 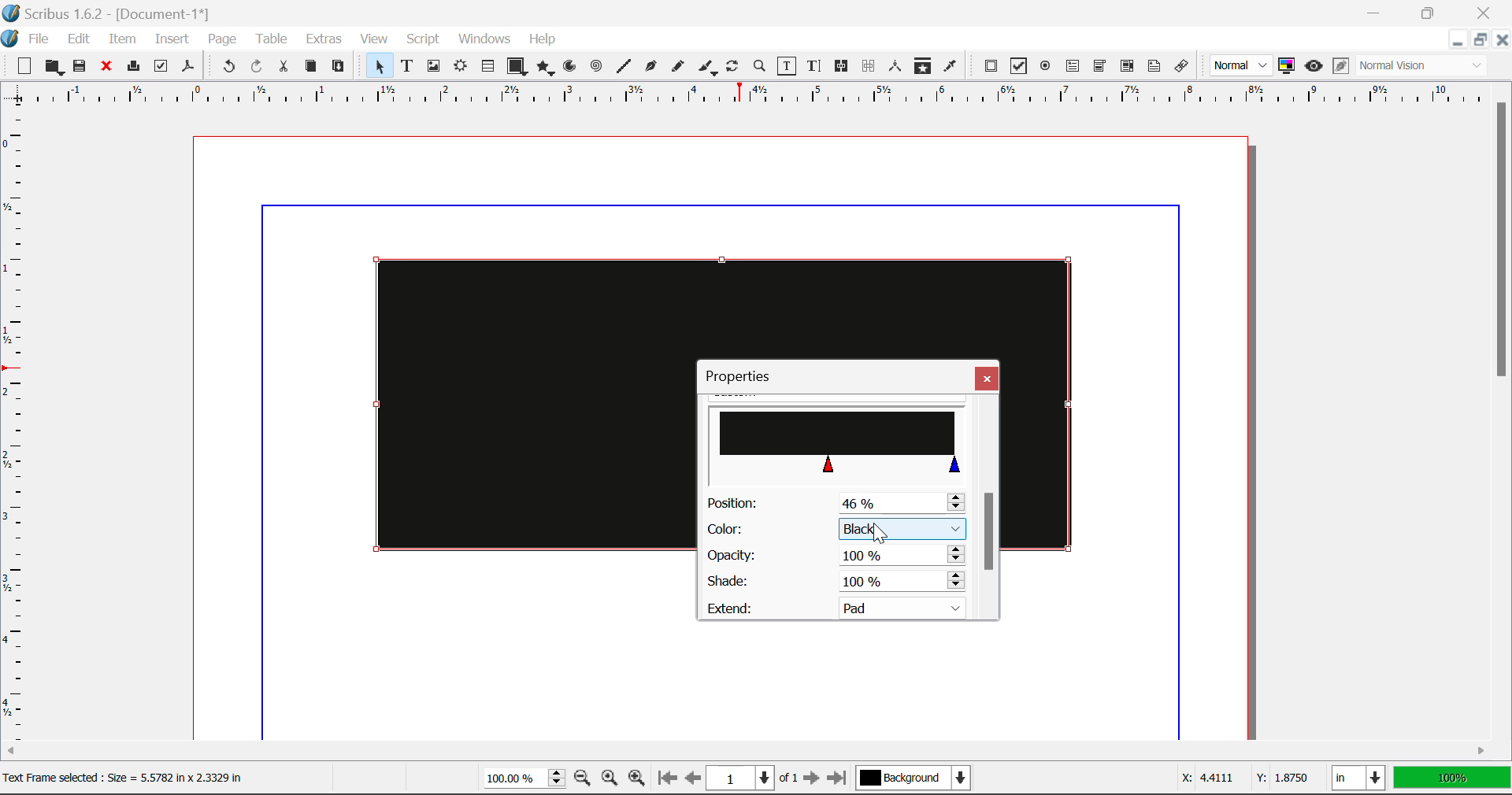 I want to click on Display Measurement, so click(x=1452, y=780).